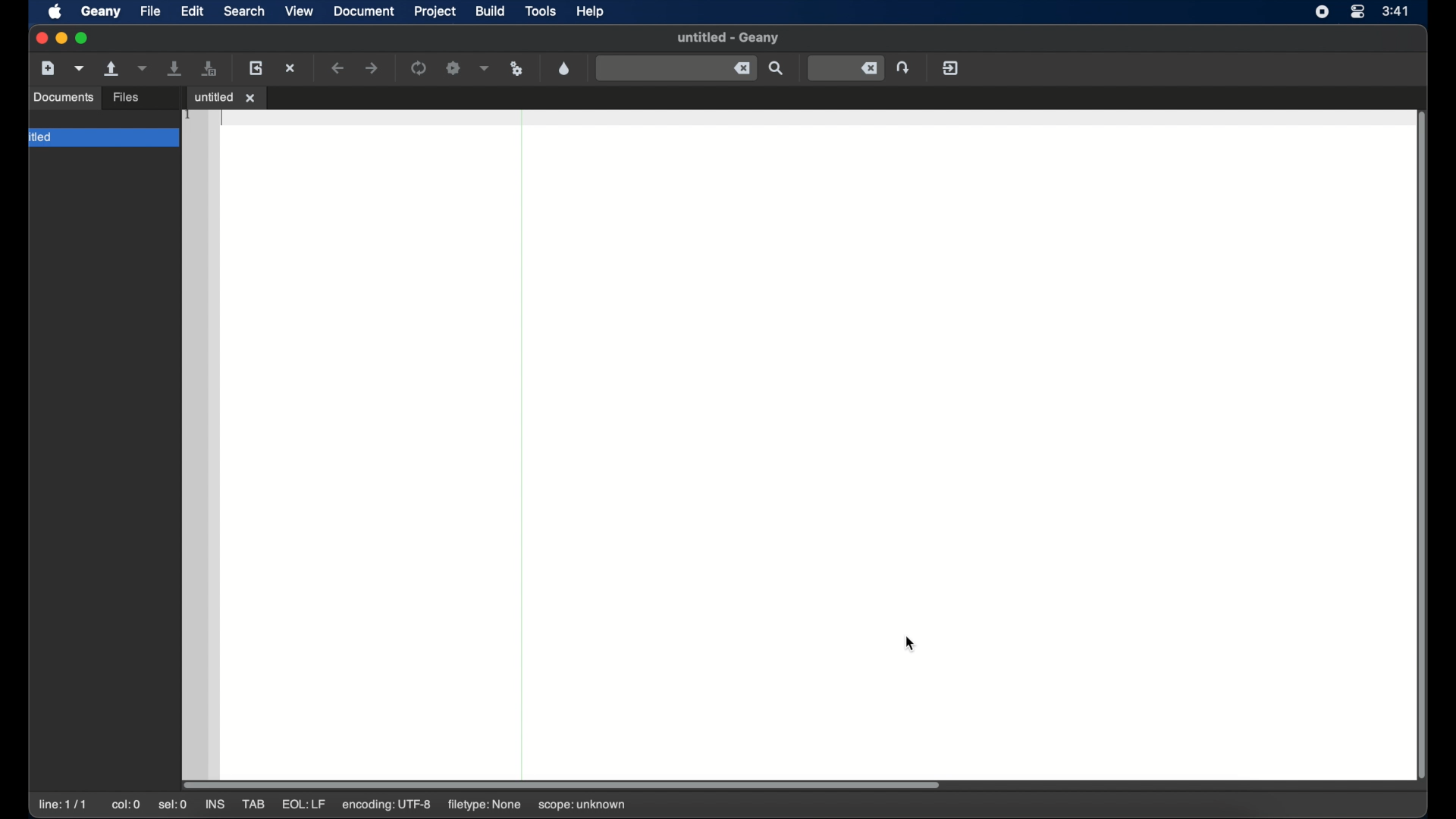  Describe the element at coordinates (777, 69) in the screenshot. I see `find entered text in current file` at that location.